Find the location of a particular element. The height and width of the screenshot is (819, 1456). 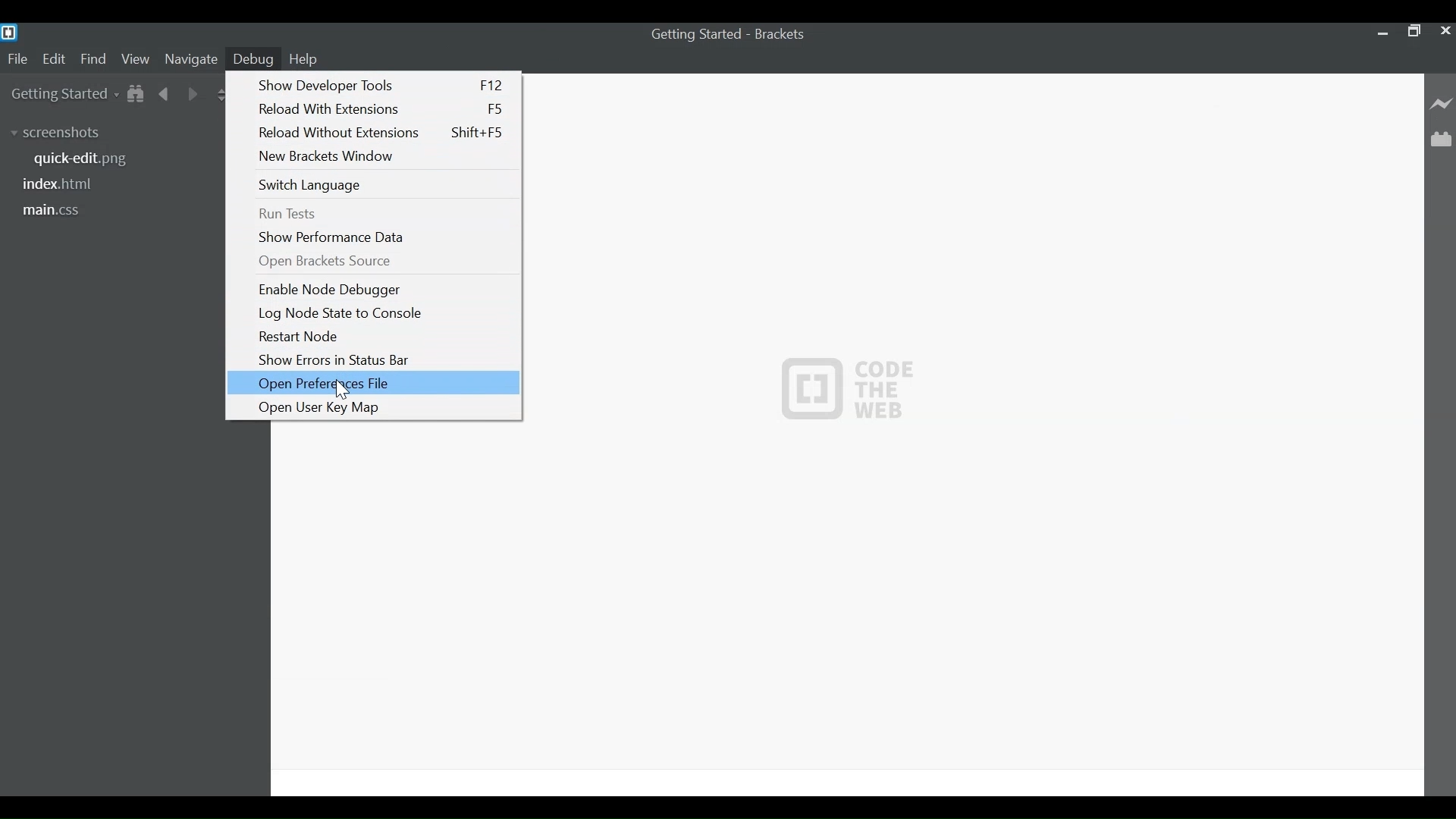

Show in File is located at coordinates (136, 95).